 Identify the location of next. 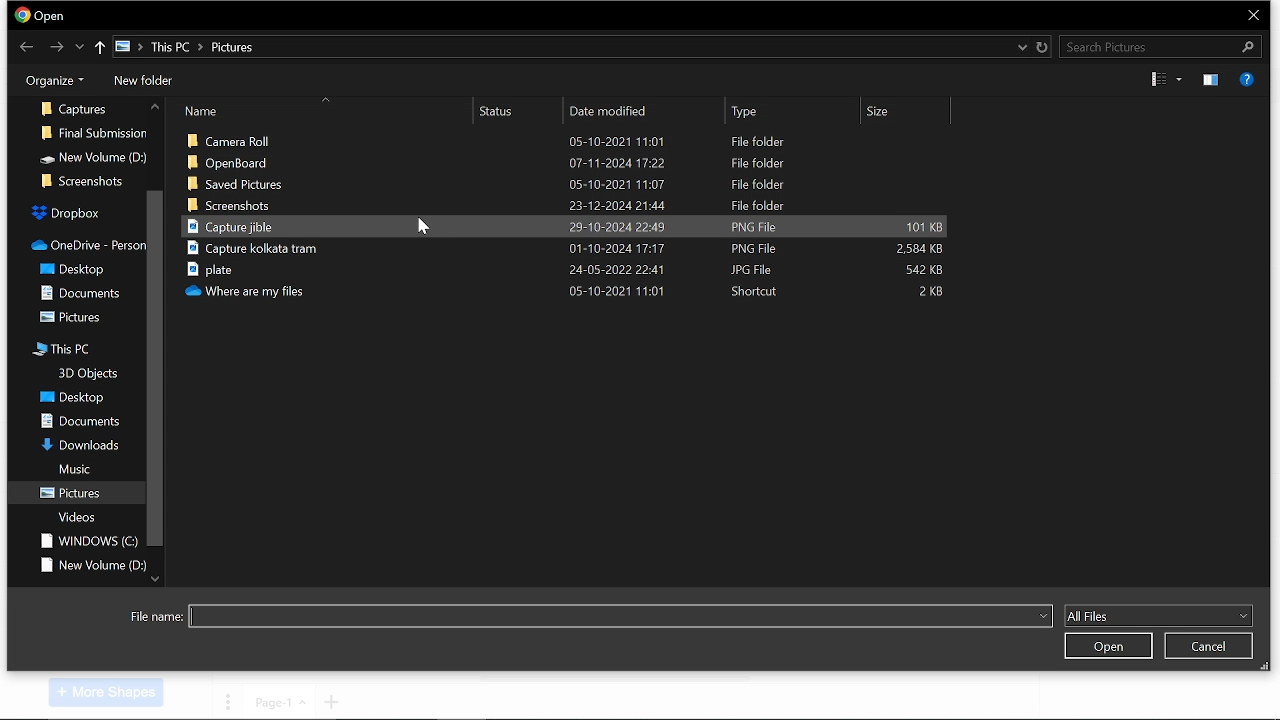
(58, 47).